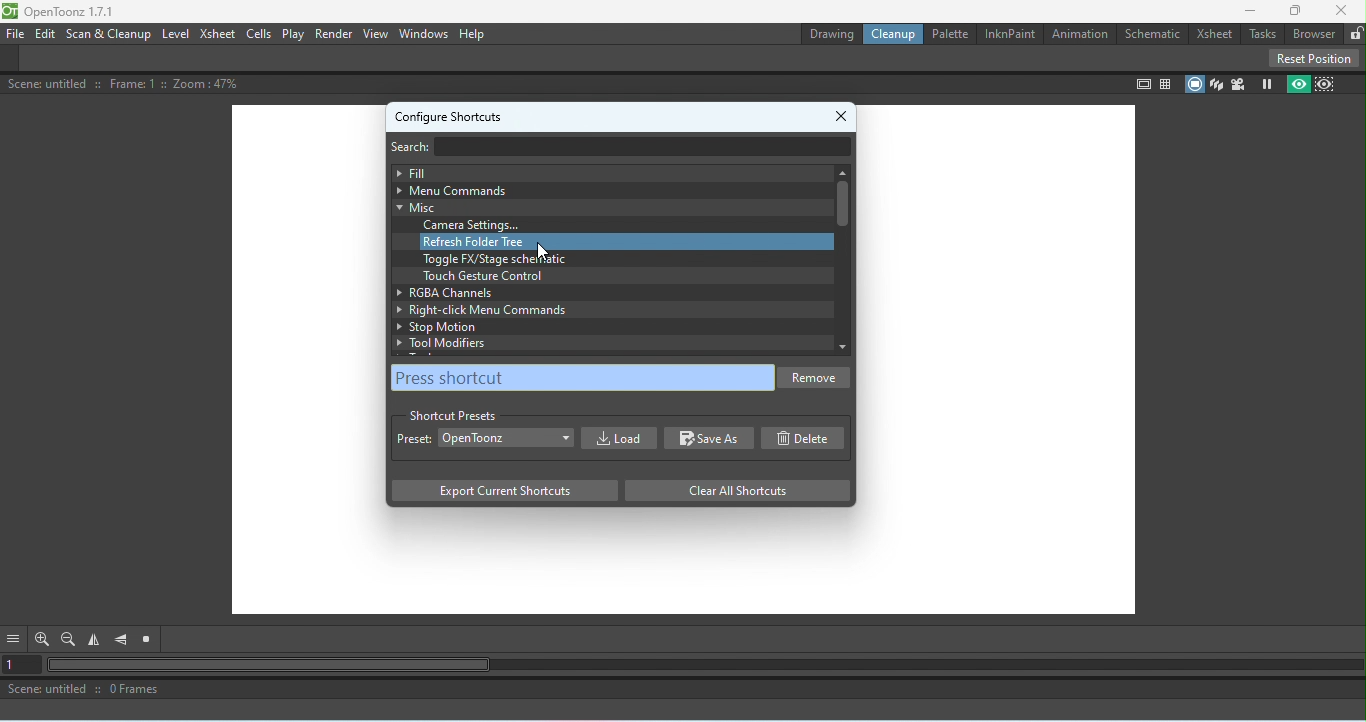  I want to click on Stop motion, so click(602, 327).